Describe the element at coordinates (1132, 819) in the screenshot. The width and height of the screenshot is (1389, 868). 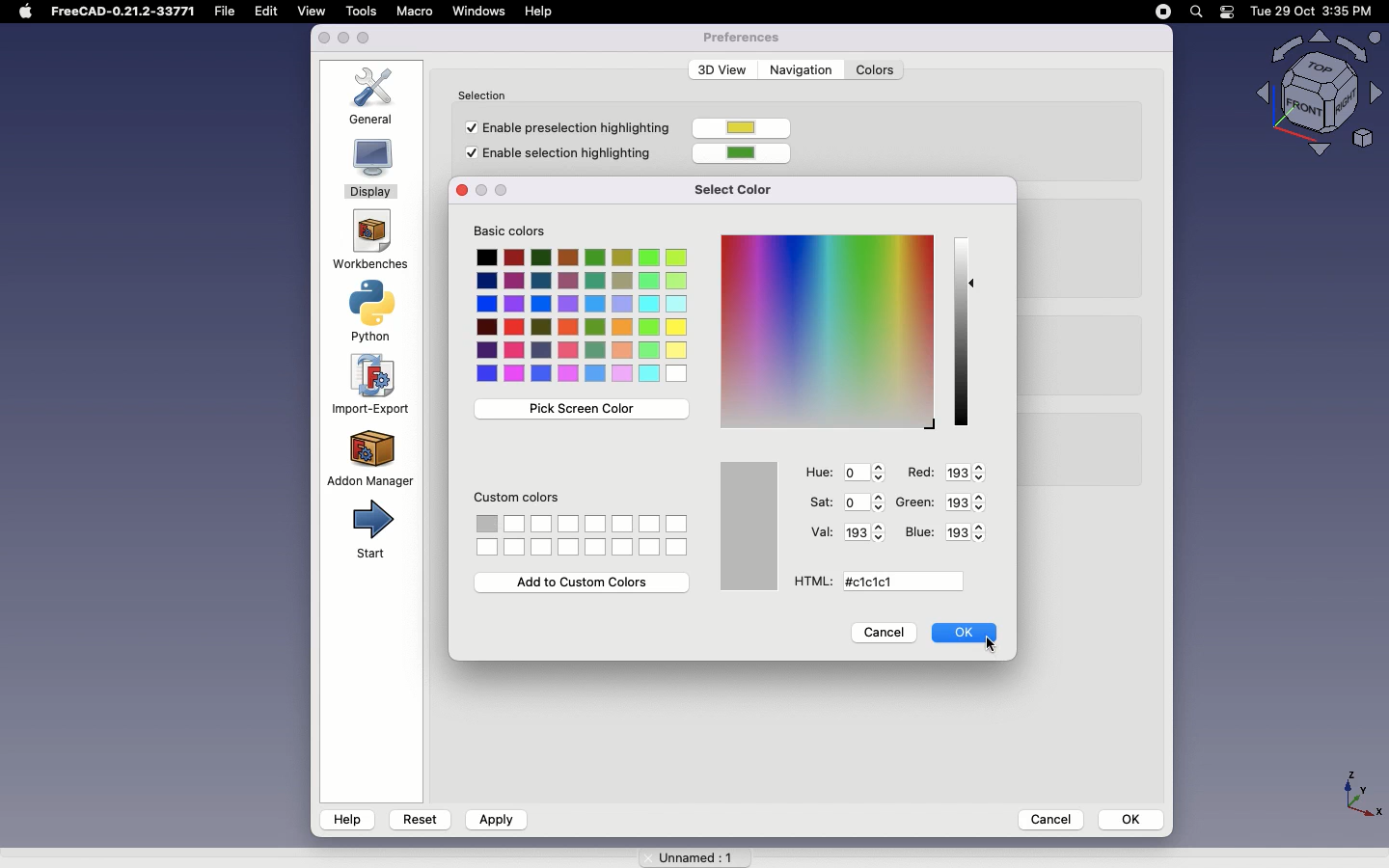
I see `OK` at that location.